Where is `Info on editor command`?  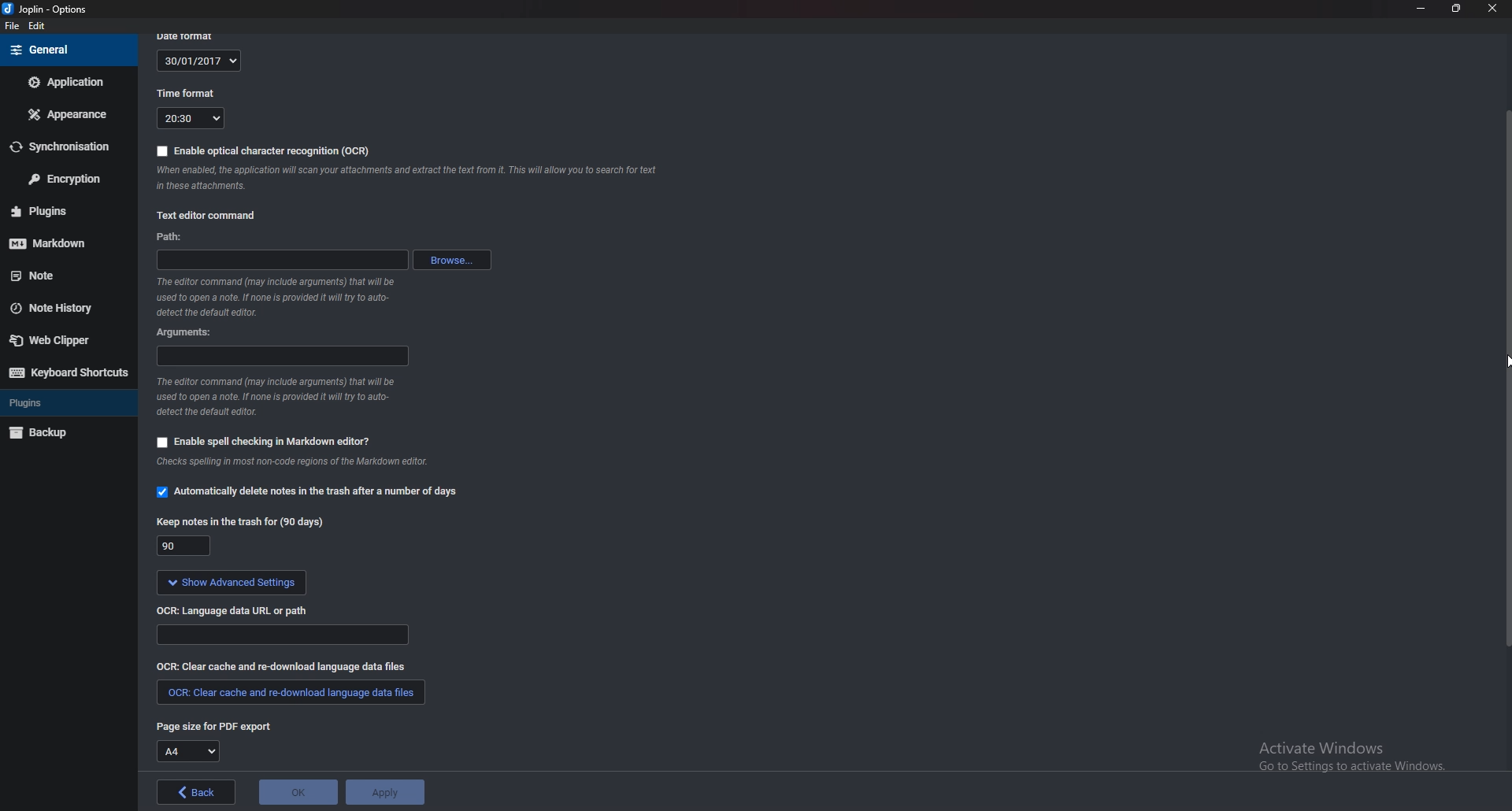
Info on editor command is located at coordinates (280, 297).